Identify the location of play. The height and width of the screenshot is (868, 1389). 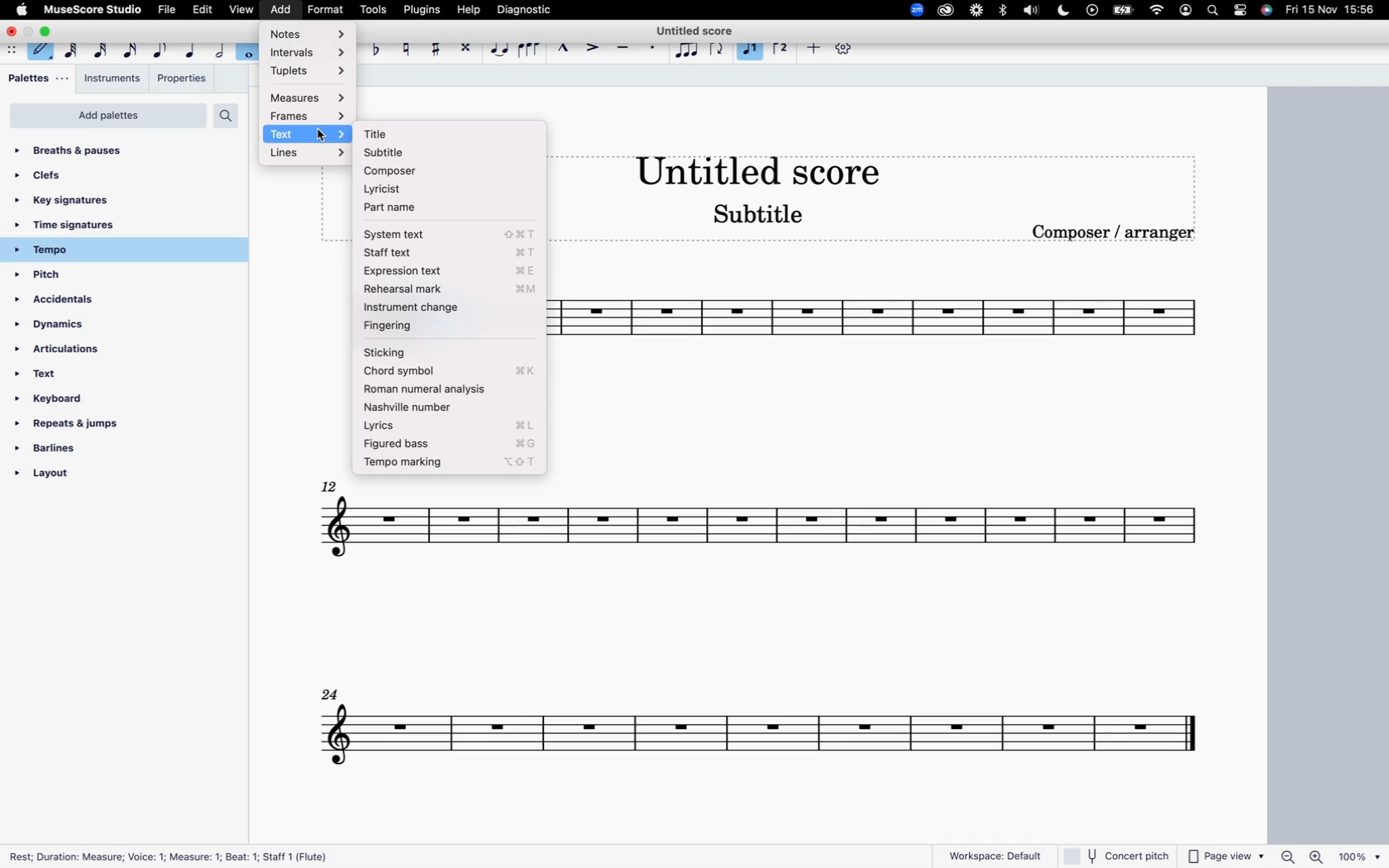
(1092, 12).